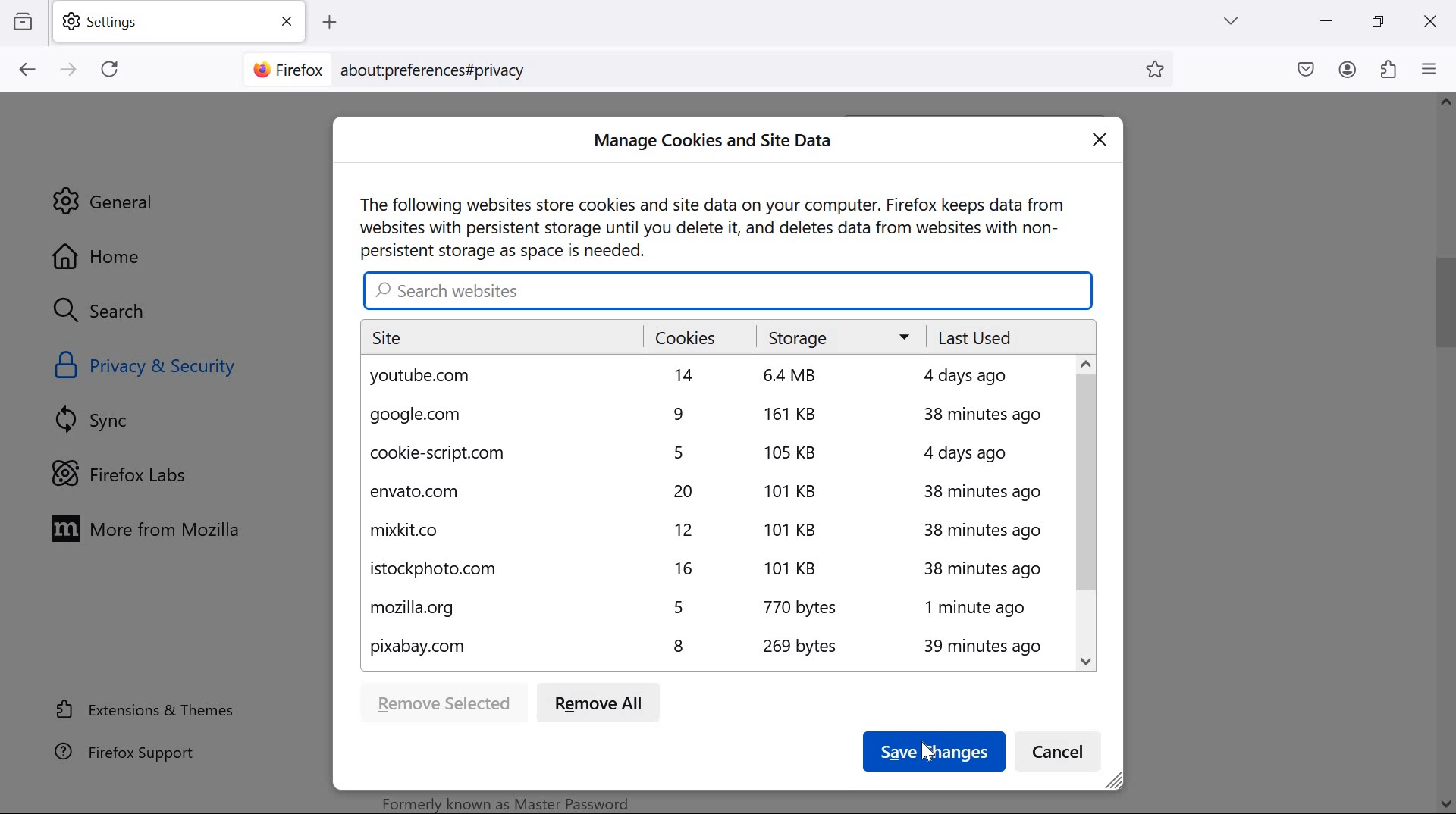 This screenshot has width=1456, height=814. I want to click on scrollbar, so click(1084, 512).